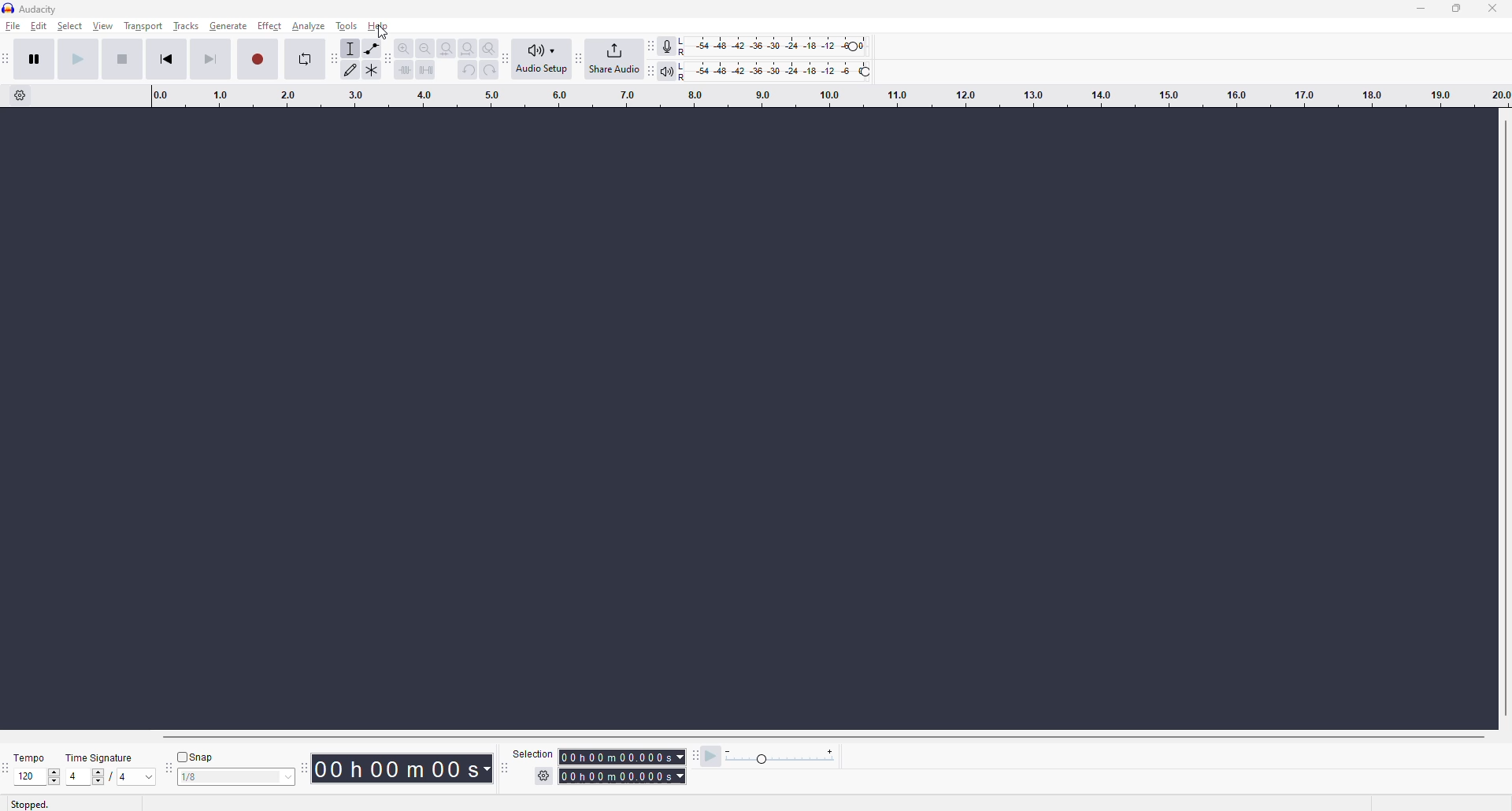 The width and height of the screenshot is (1512, 811). Describe the element at coordinates (35, 58) in the screenshot. I see `pause` at that location.